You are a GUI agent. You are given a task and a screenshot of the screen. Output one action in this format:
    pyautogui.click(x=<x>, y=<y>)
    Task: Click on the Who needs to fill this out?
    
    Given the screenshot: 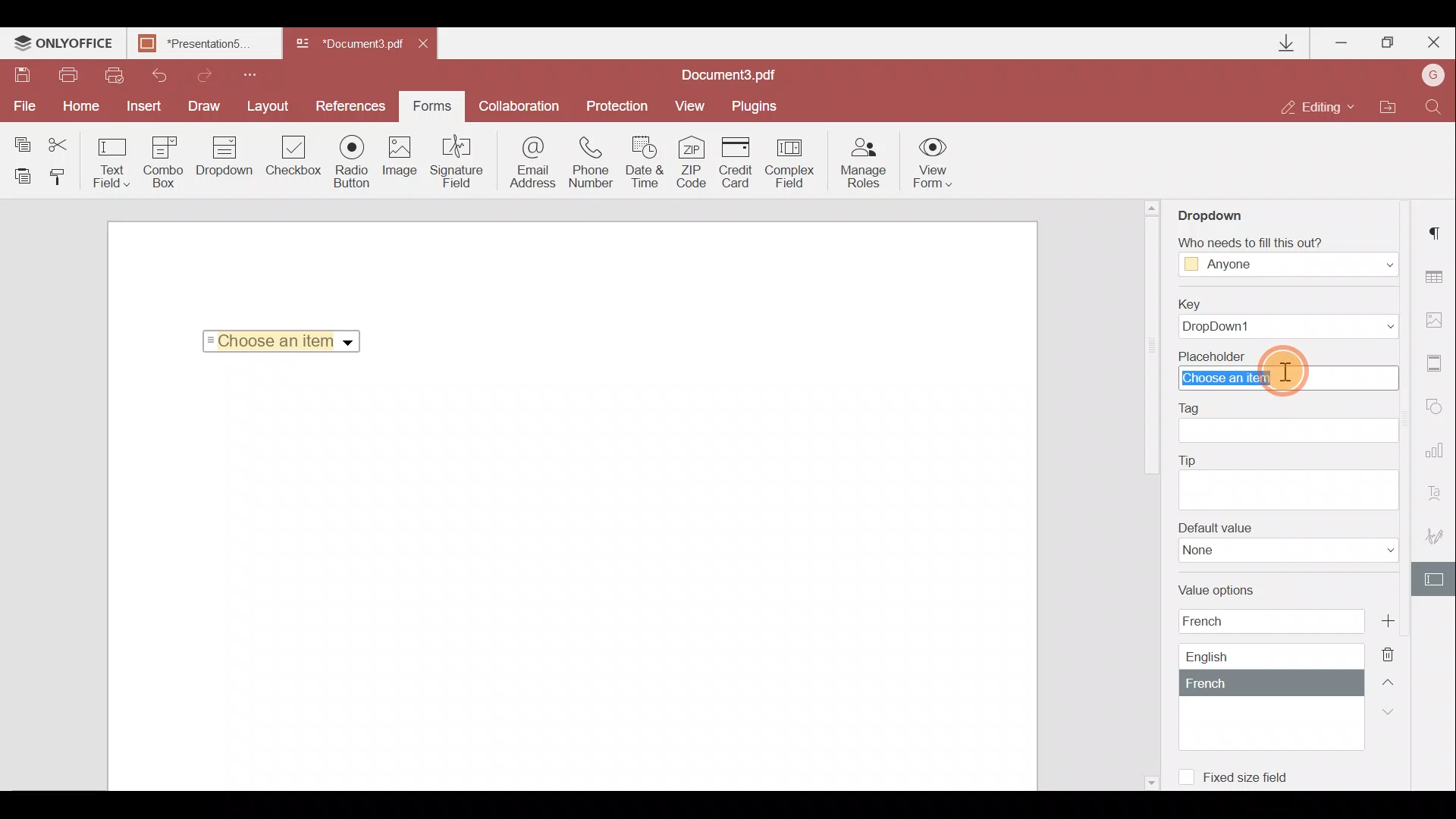 What is the action you would take?
    pyautogui.click(x=1288, y=252)
    